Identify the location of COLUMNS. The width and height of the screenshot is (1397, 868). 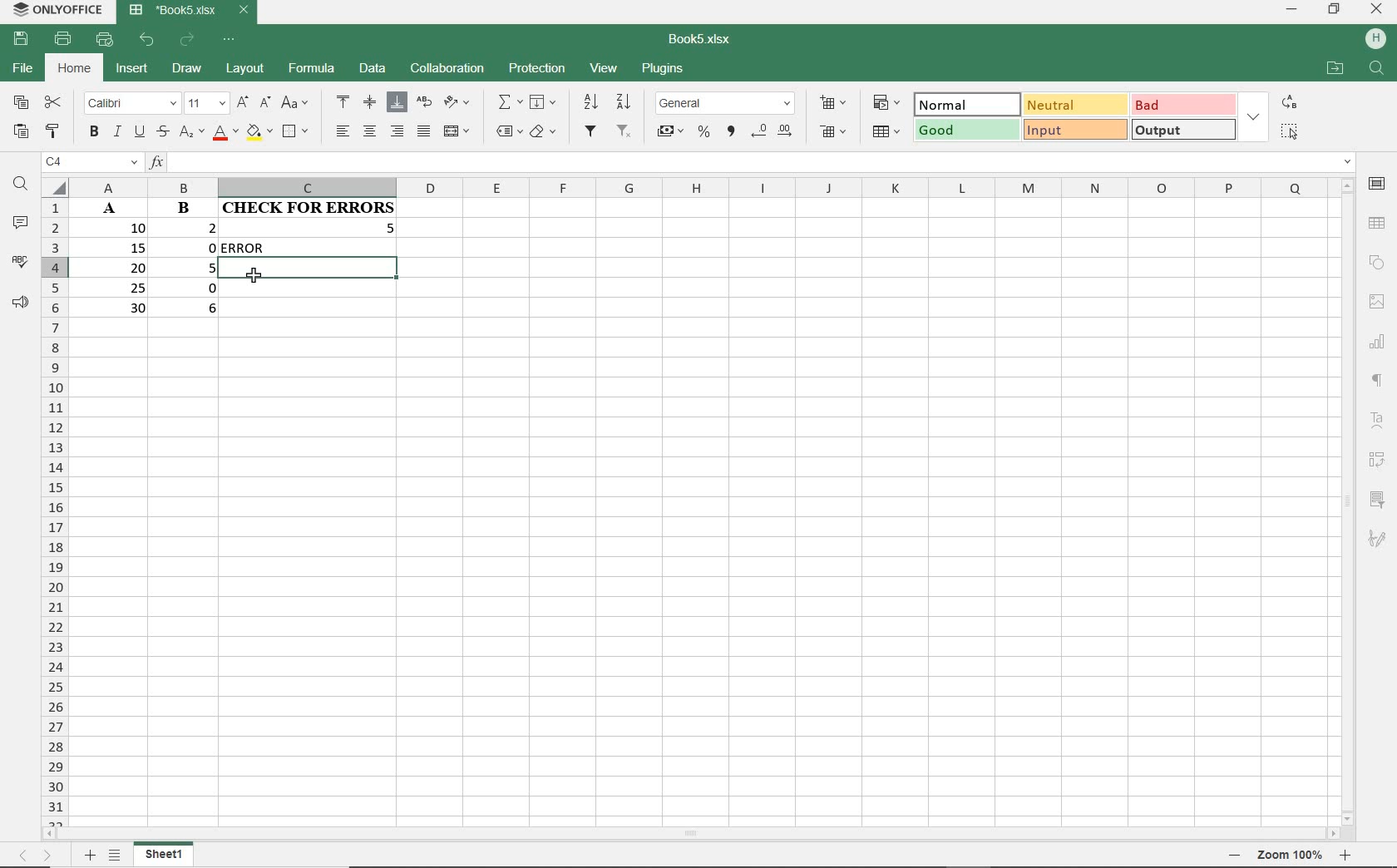
(698, 188).